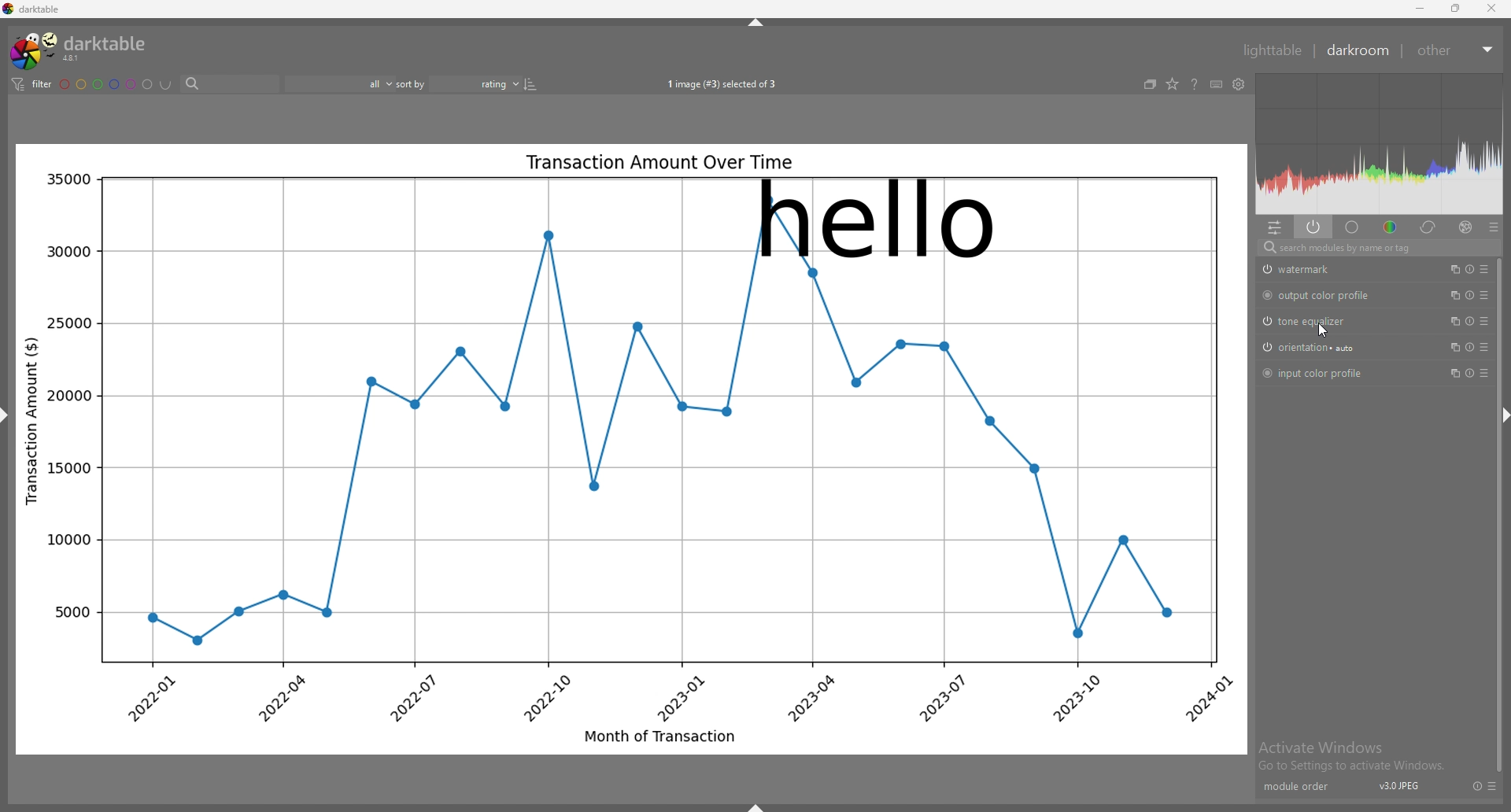 The width and height of the screenshot is (1511, 812). What do you see at coordinates (412, 84) in the screenshot?
I see `sort by` at bounding box center [412, 84].